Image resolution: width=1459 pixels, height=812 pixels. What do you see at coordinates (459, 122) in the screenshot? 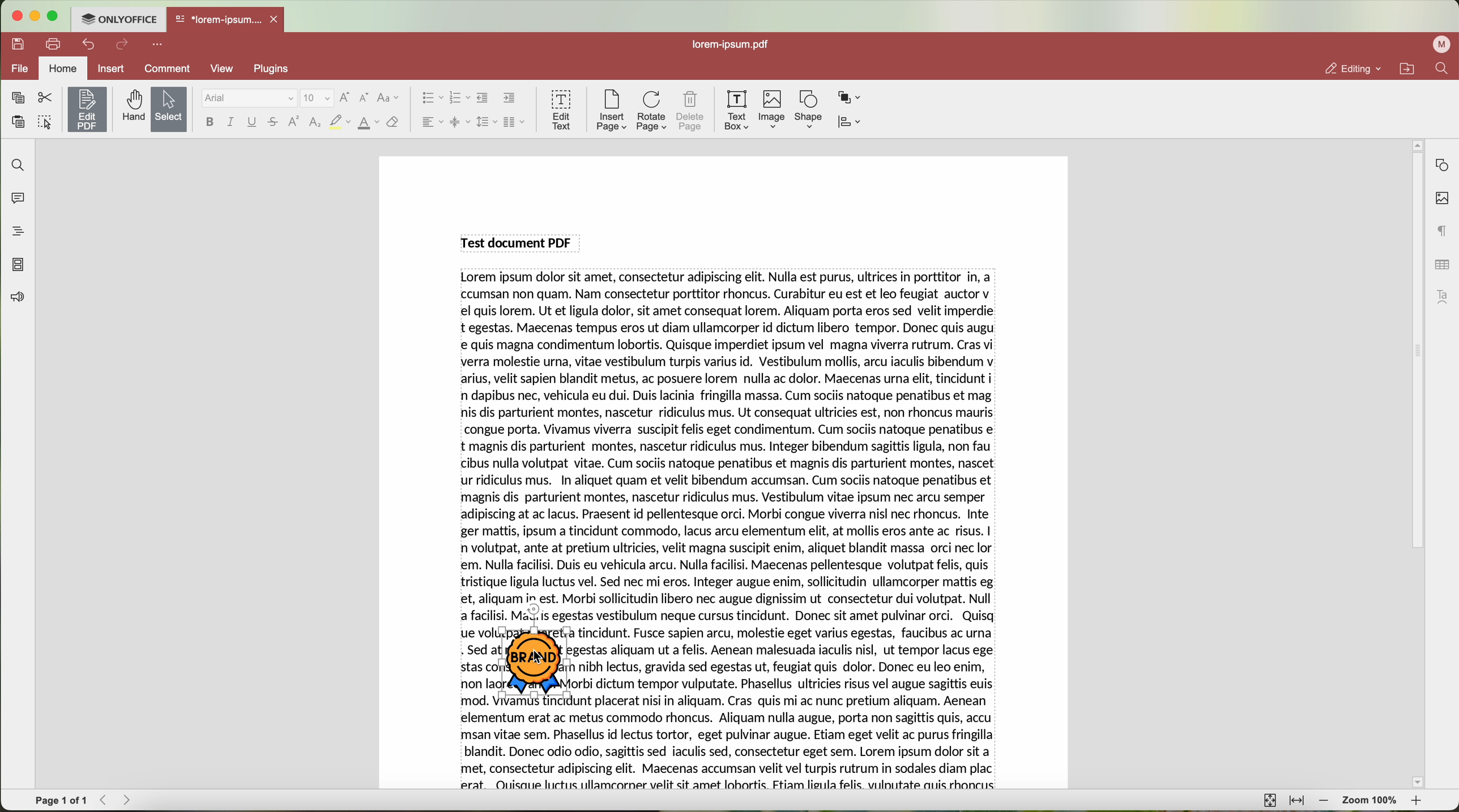
I see `vertical align` at bounding box center [459, 122].